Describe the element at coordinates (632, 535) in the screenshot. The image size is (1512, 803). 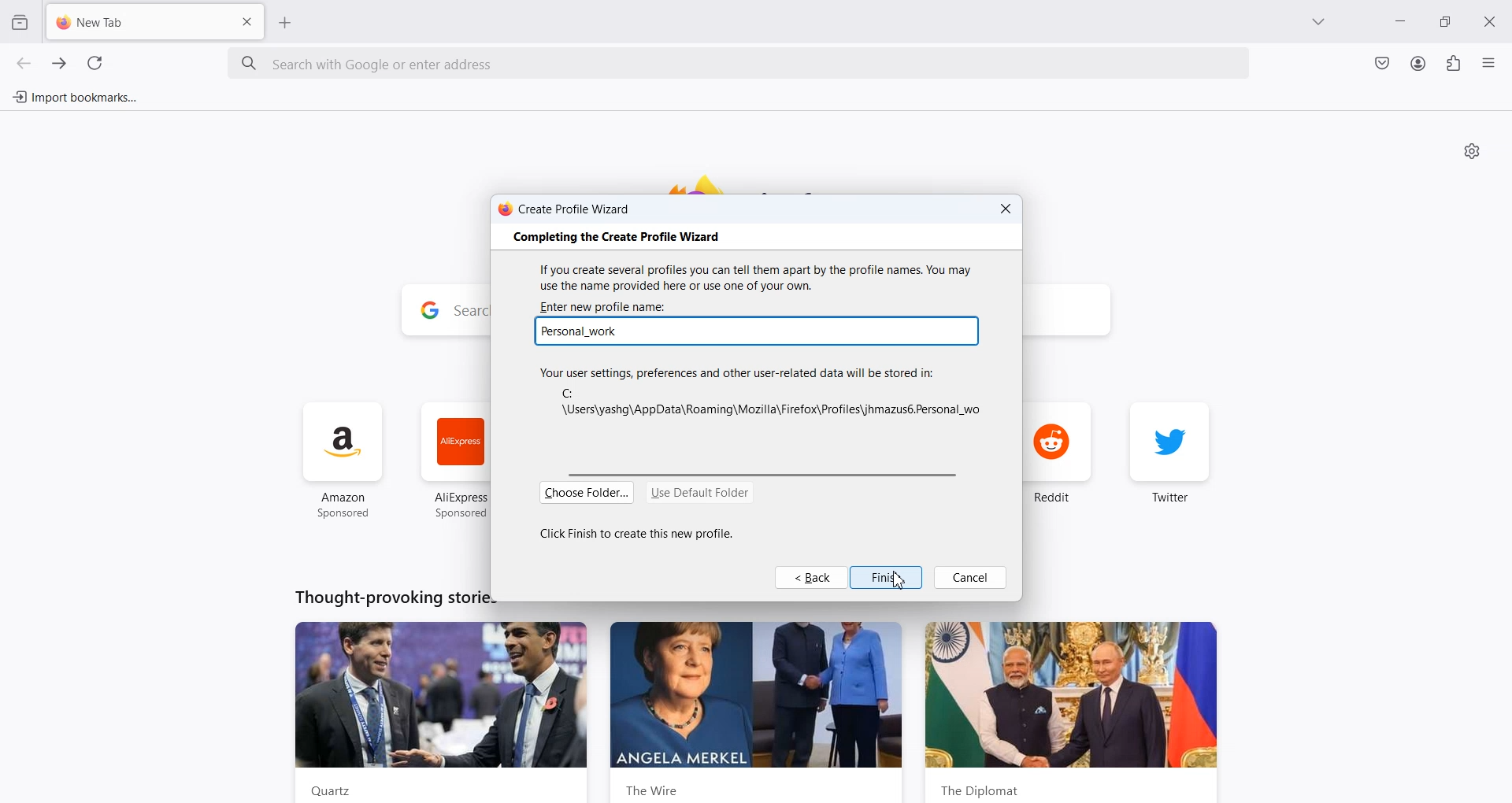
I see `Click Finish to create this new profile.` at that location.